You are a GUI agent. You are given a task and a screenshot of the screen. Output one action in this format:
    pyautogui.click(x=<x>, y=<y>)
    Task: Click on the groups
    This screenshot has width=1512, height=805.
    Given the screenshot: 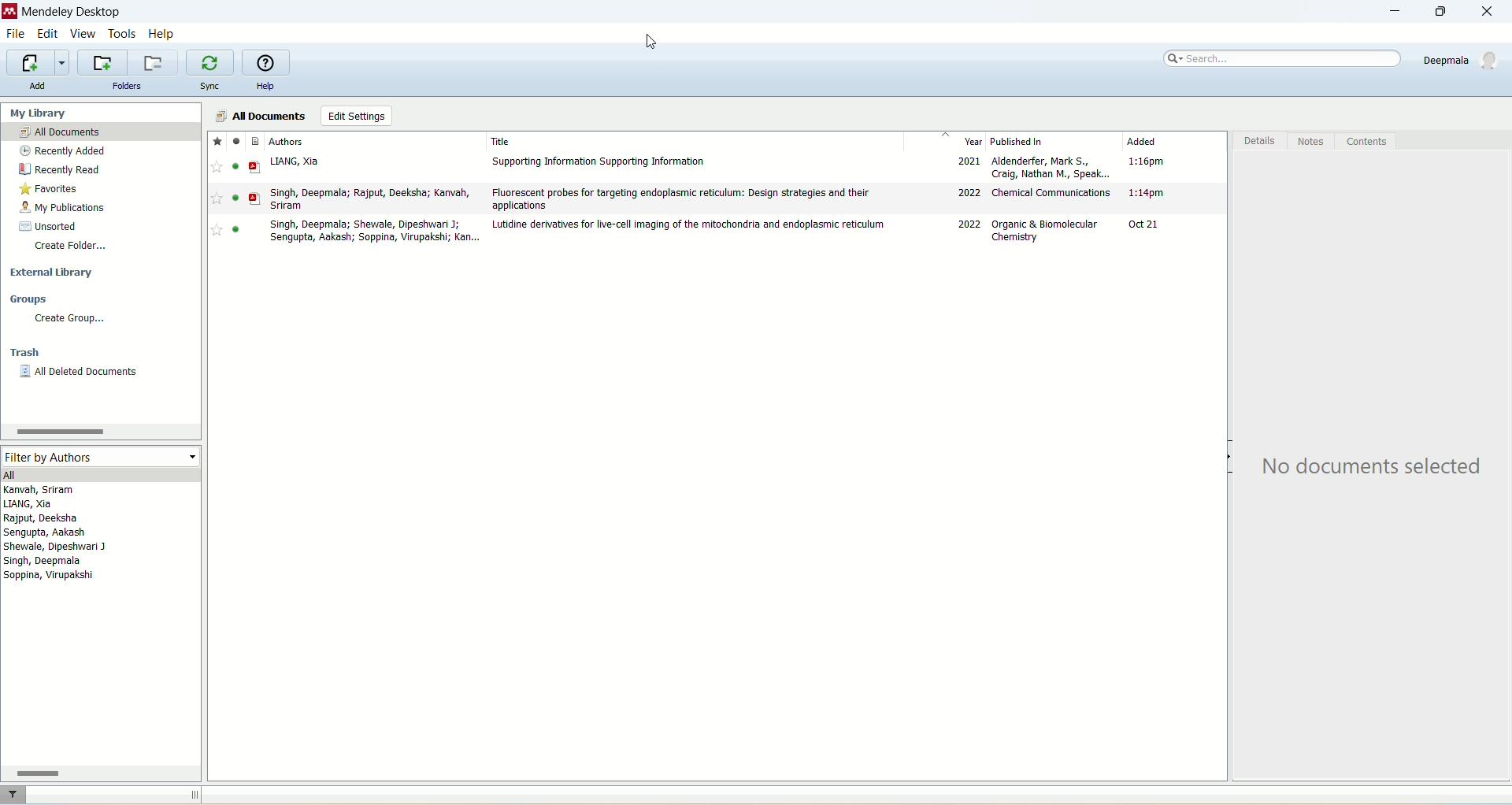 What is the action you would take?
    pyautogui.click(x=29, y=299)
    